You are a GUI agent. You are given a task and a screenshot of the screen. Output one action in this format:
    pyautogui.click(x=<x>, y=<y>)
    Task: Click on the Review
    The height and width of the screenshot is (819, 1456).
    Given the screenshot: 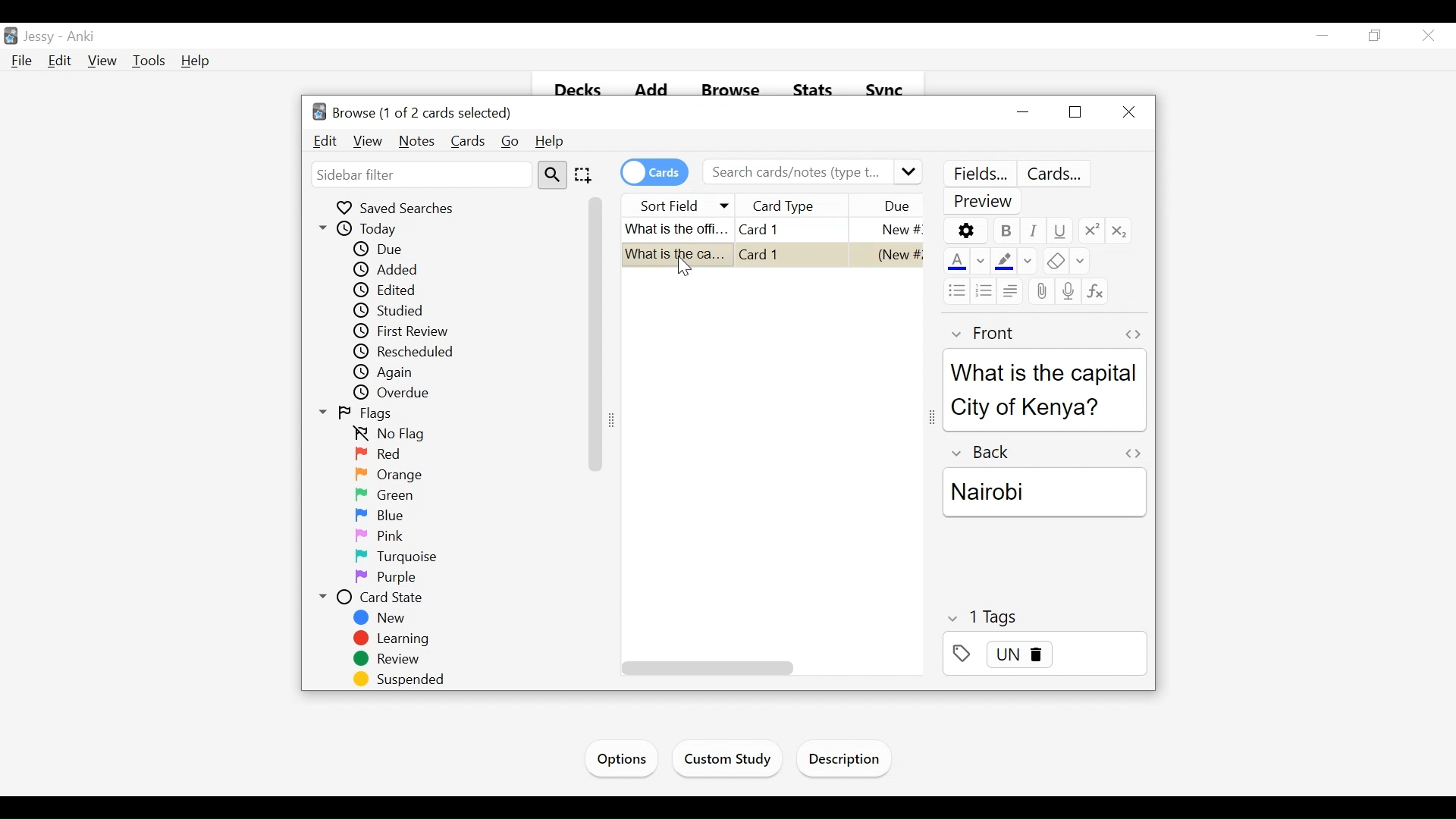 What is the action you would take?
    pyautogui.click(x=391, y=661)
    